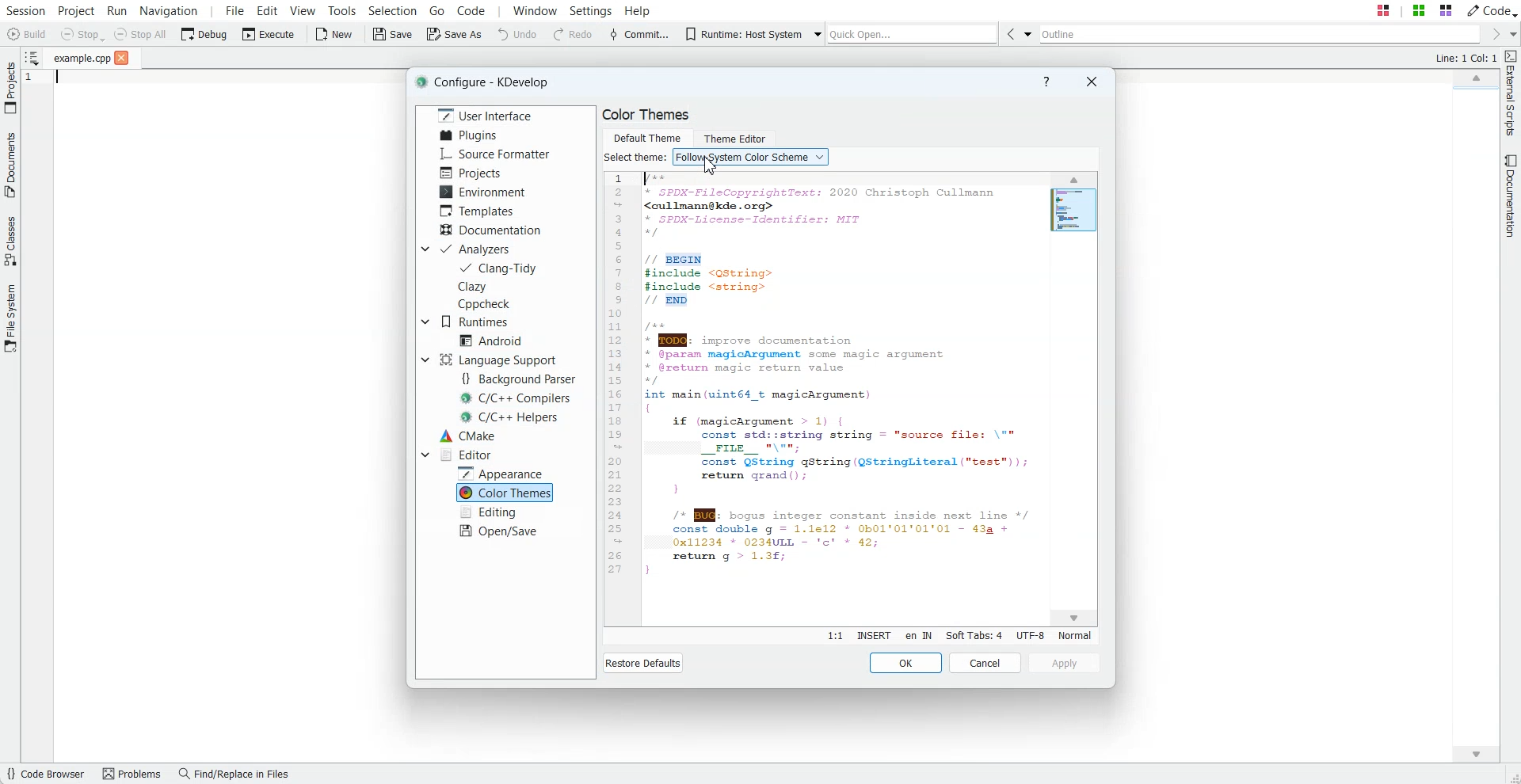 The image size is (1521, 784). I want to click on Cursor, so click(1073, 180).